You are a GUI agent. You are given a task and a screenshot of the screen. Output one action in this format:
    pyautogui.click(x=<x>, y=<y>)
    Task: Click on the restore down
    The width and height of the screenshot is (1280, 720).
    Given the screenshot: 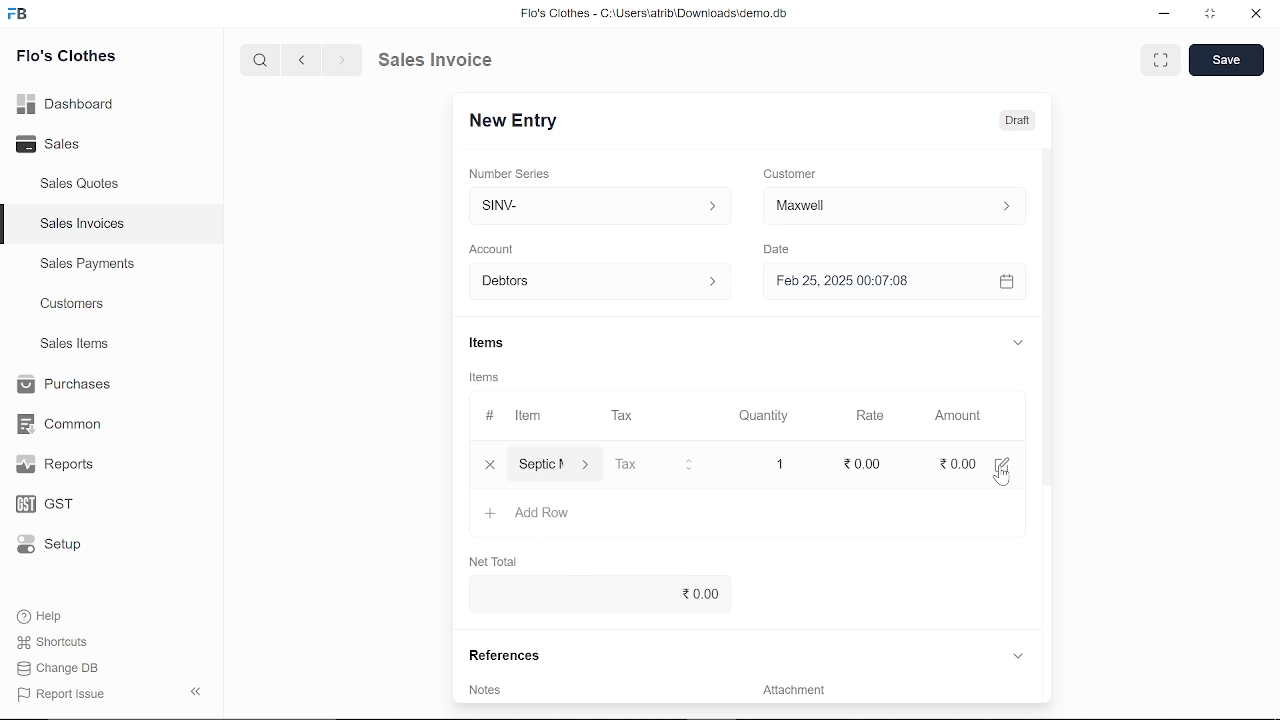 What is the action you would take?
    pyautogui.click(x=1207, y=13)
    